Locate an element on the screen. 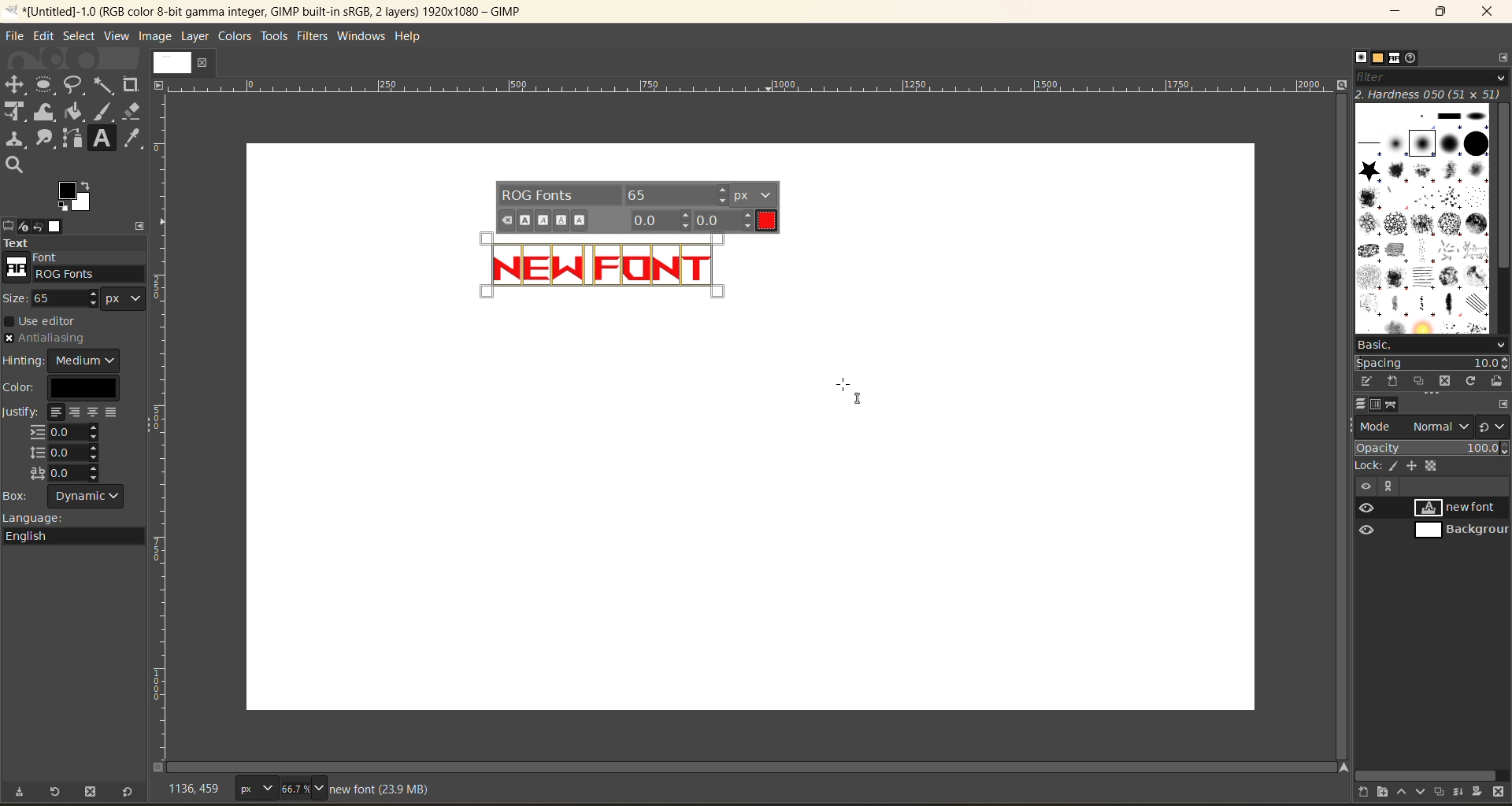  lock pixel, position and alpha is located at coordinates (1431, 467).